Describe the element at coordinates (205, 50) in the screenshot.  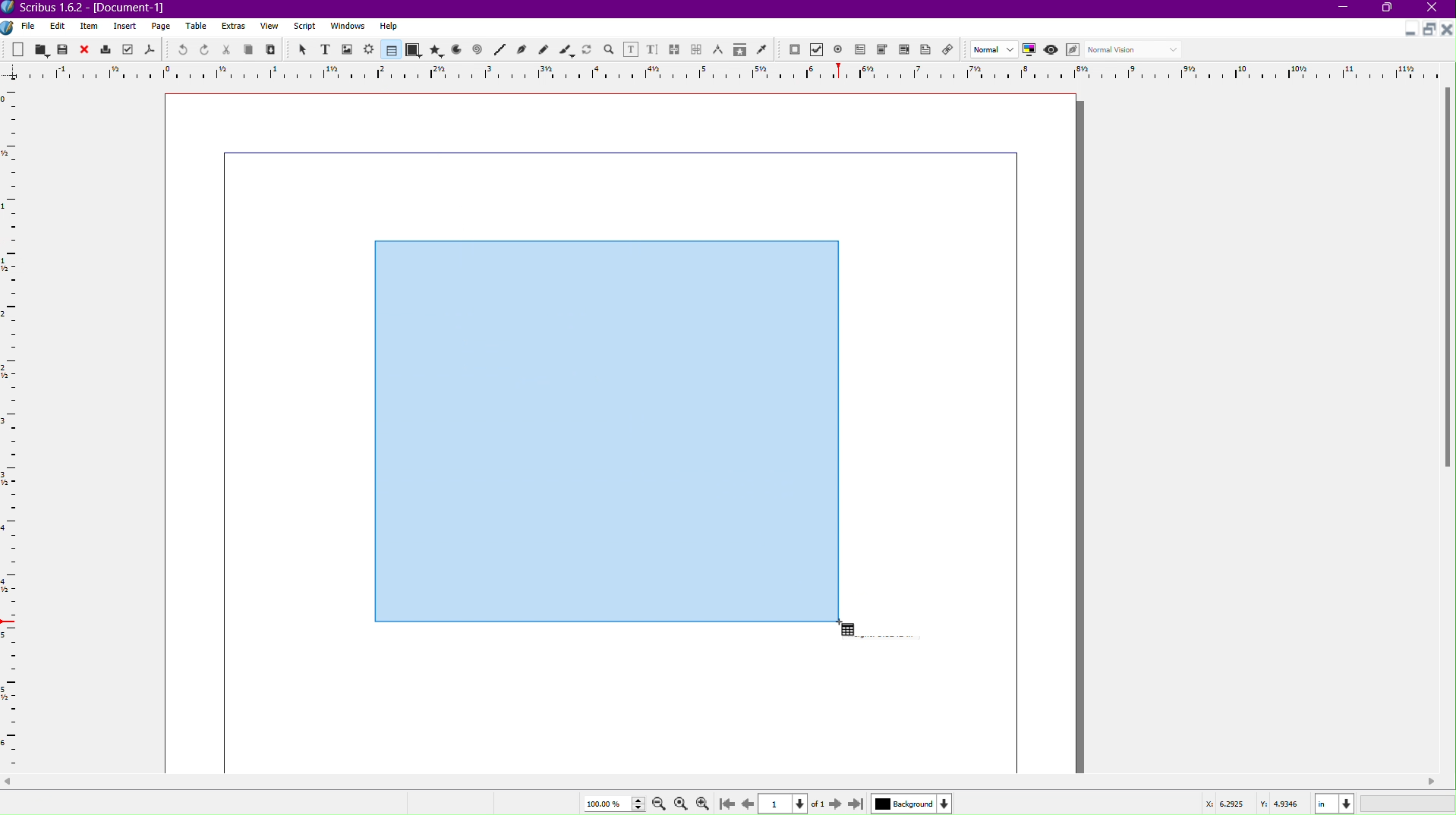
I see `Redo` at that location.